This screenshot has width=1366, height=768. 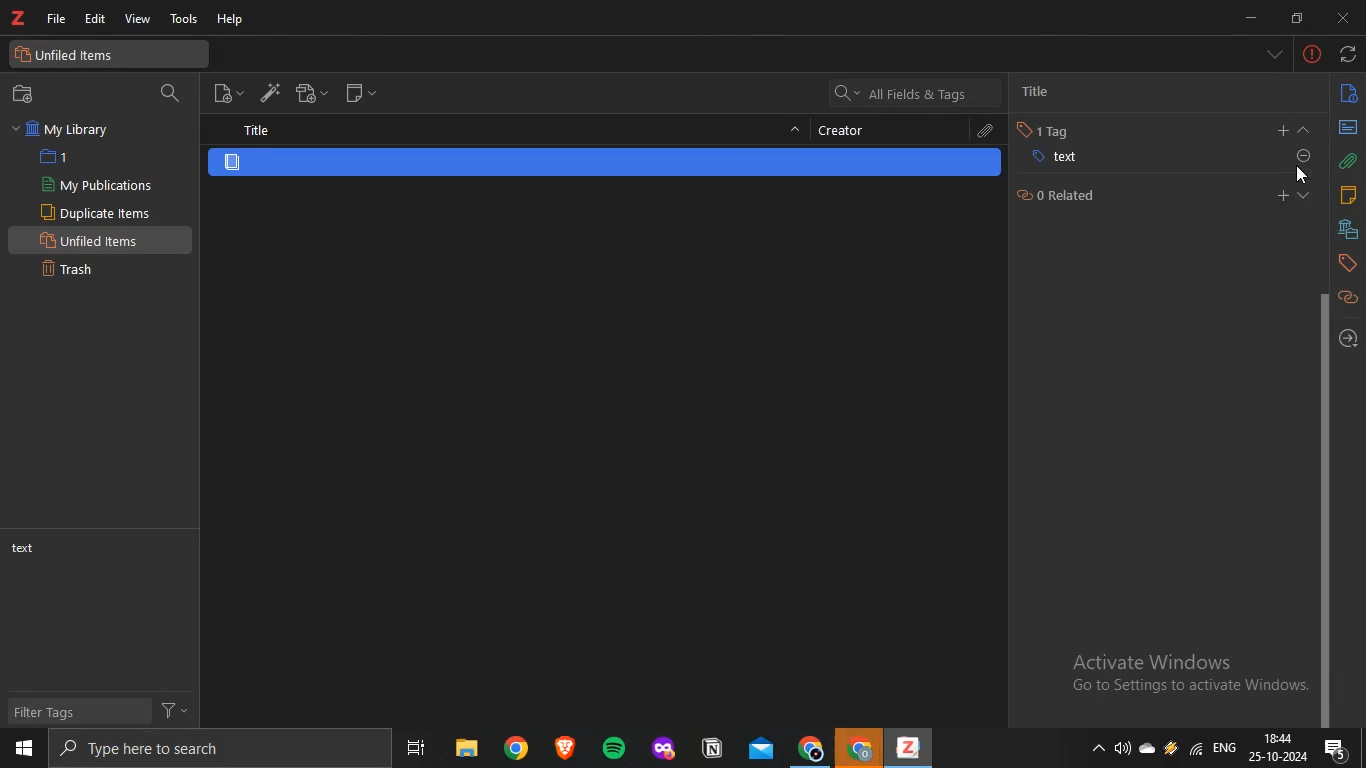 What do you see at coordinates (230, 92) in the screenshot?
I see `new item` at bounding box center [230, 92].